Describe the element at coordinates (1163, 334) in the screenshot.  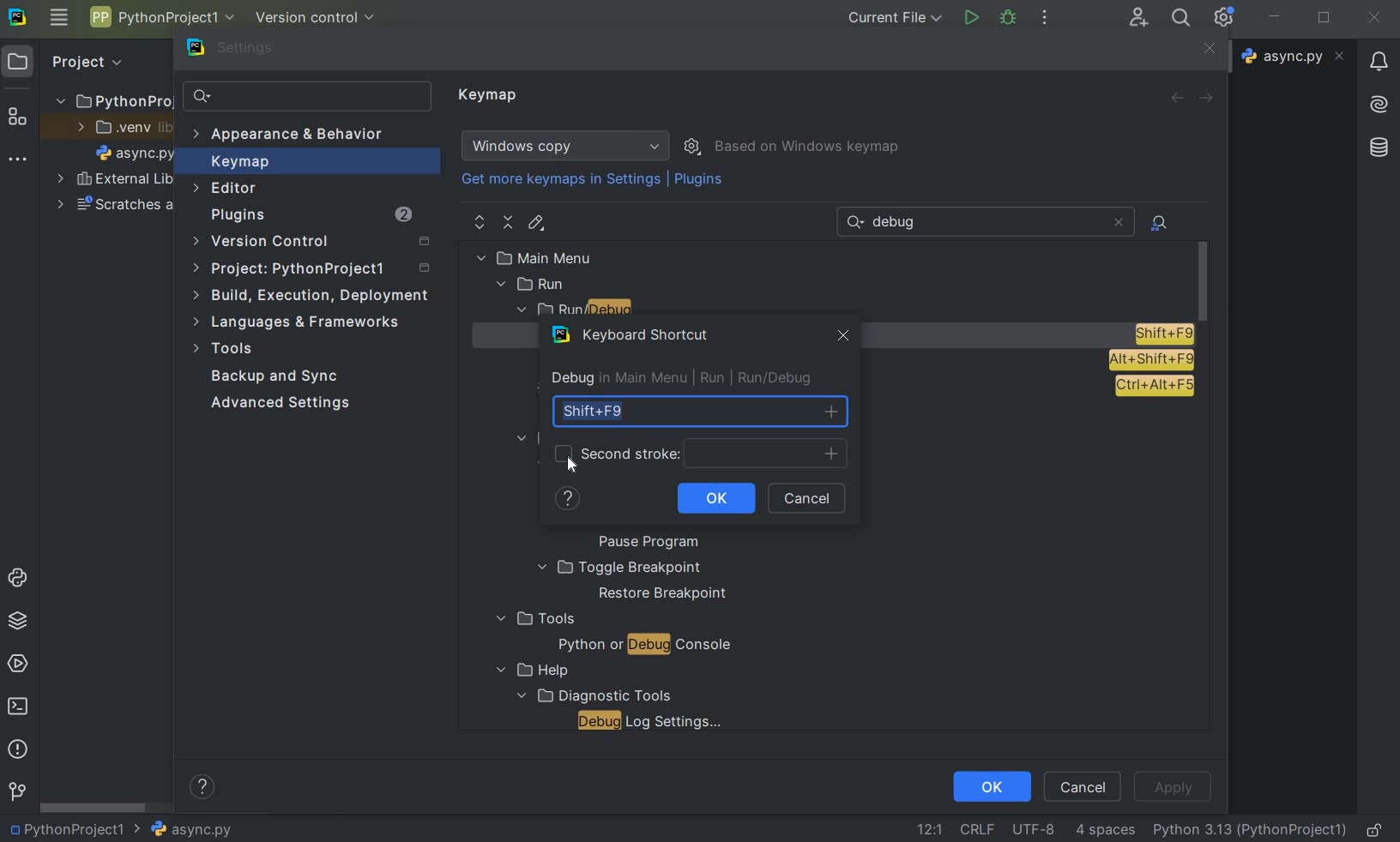
I see `Shift+F9` at that location.